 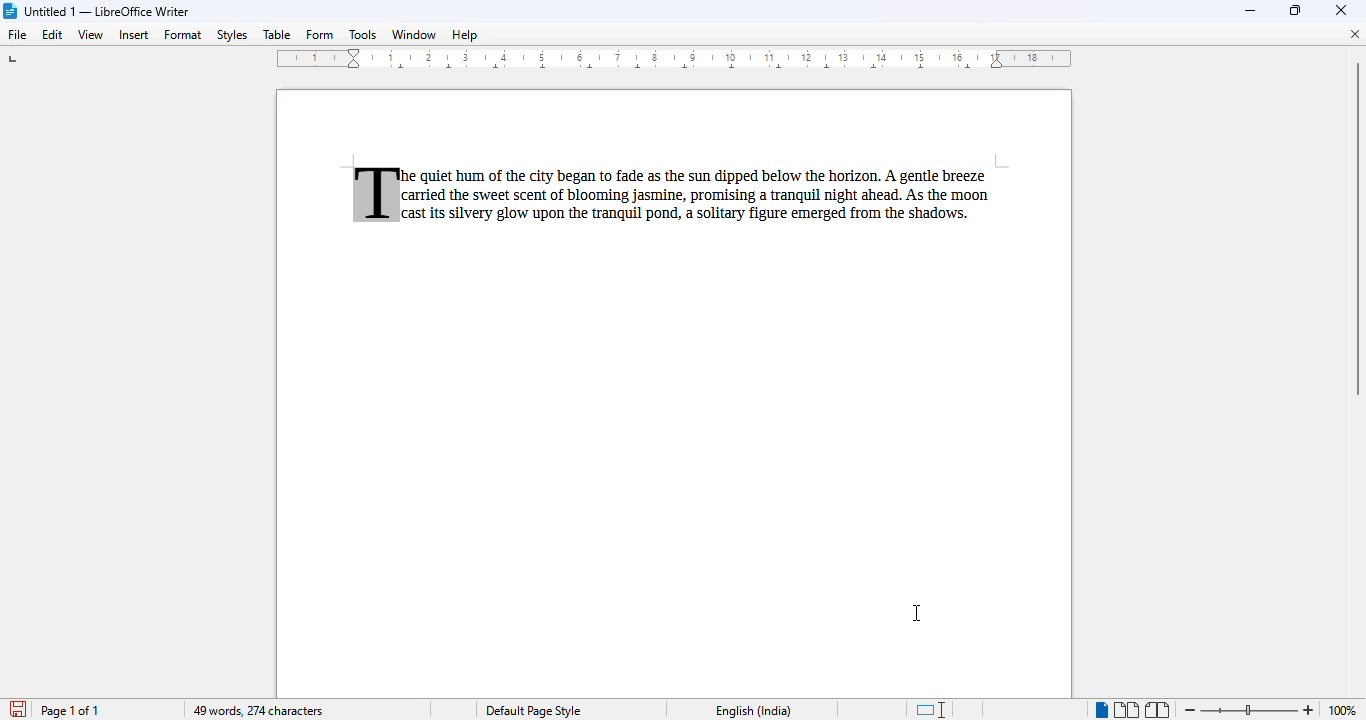 I want to click on styles, so click(x=232, y=35).